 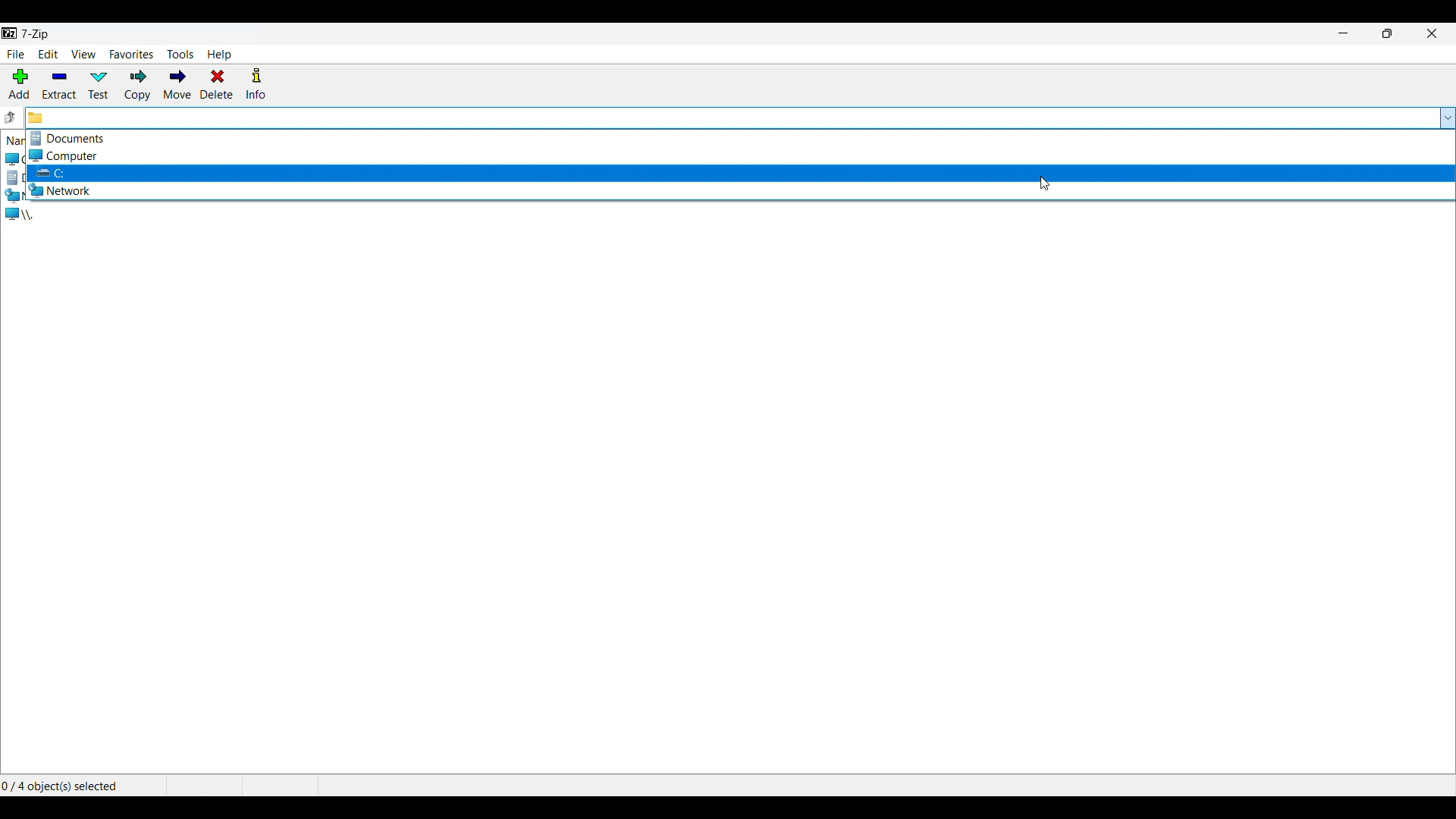 I want to click on Copy, so click(x=137, y=85).